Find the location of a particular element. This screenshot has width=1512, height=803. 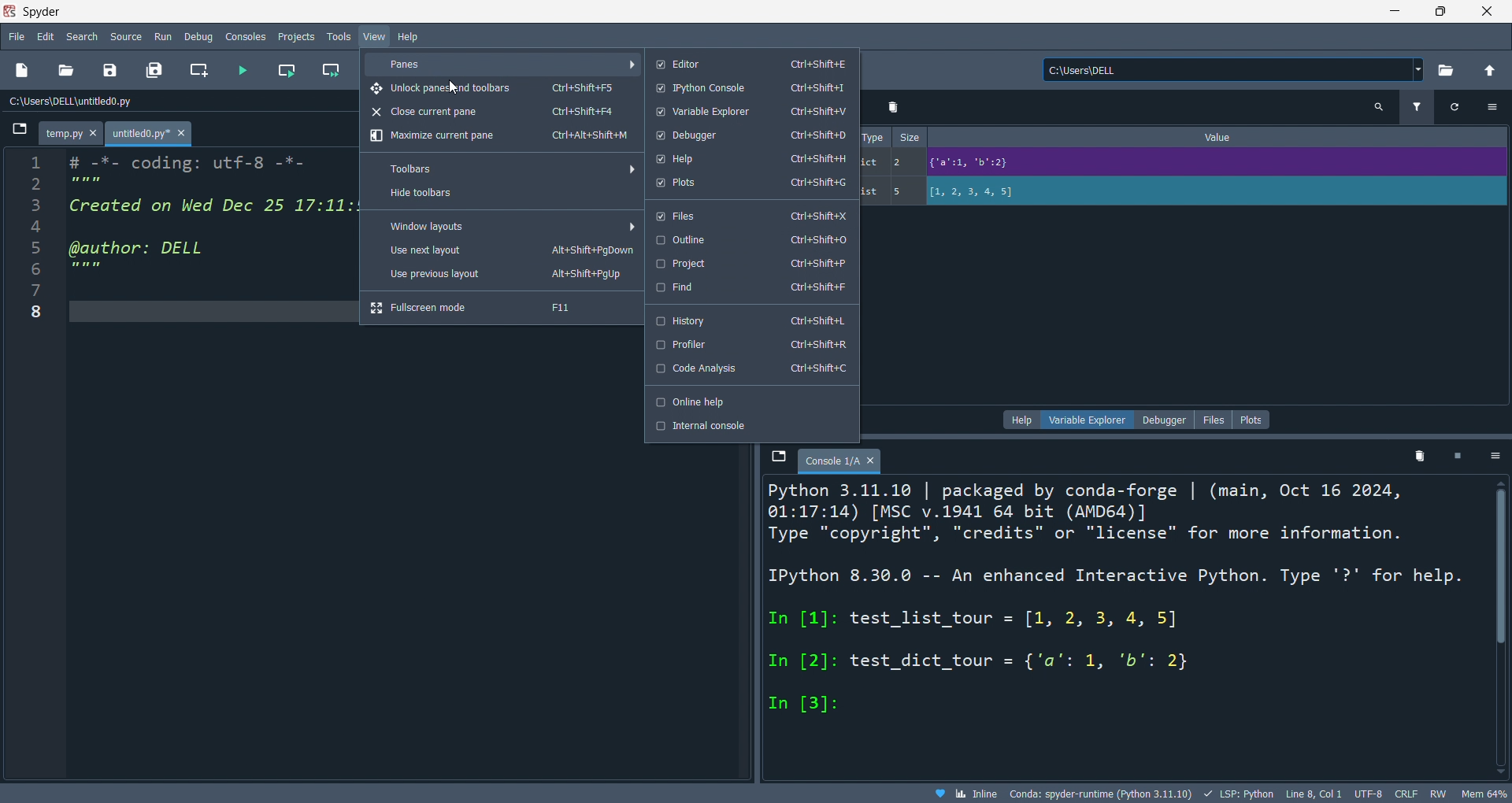

files is located at coordinates (1212, 419).